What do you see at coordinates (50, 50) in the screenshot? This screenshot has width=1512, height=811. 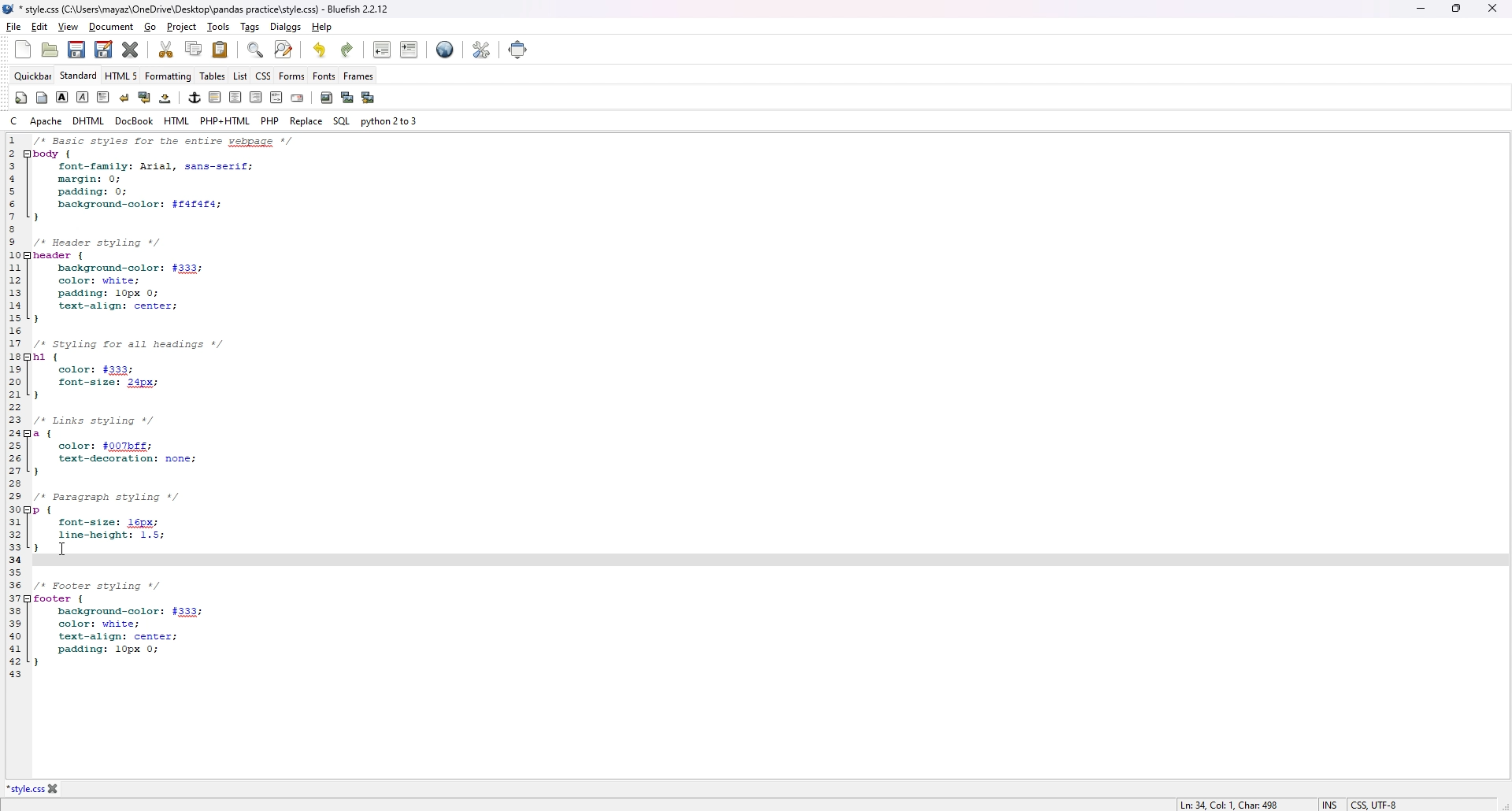 I see `open` at bounding box center [50, 50].